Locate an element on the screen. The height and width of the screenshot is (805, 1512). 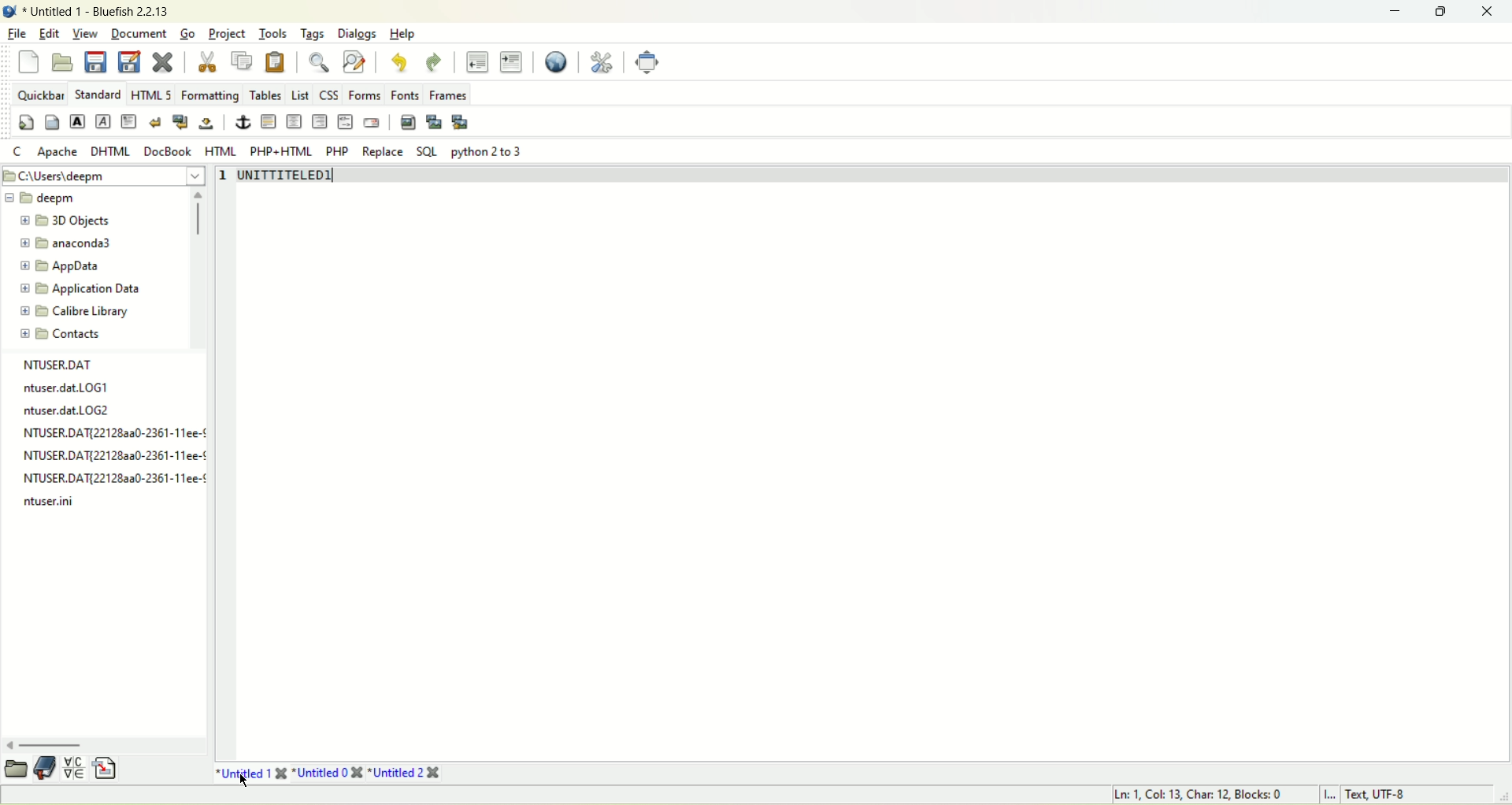
log is located at coordinates (50, 500).